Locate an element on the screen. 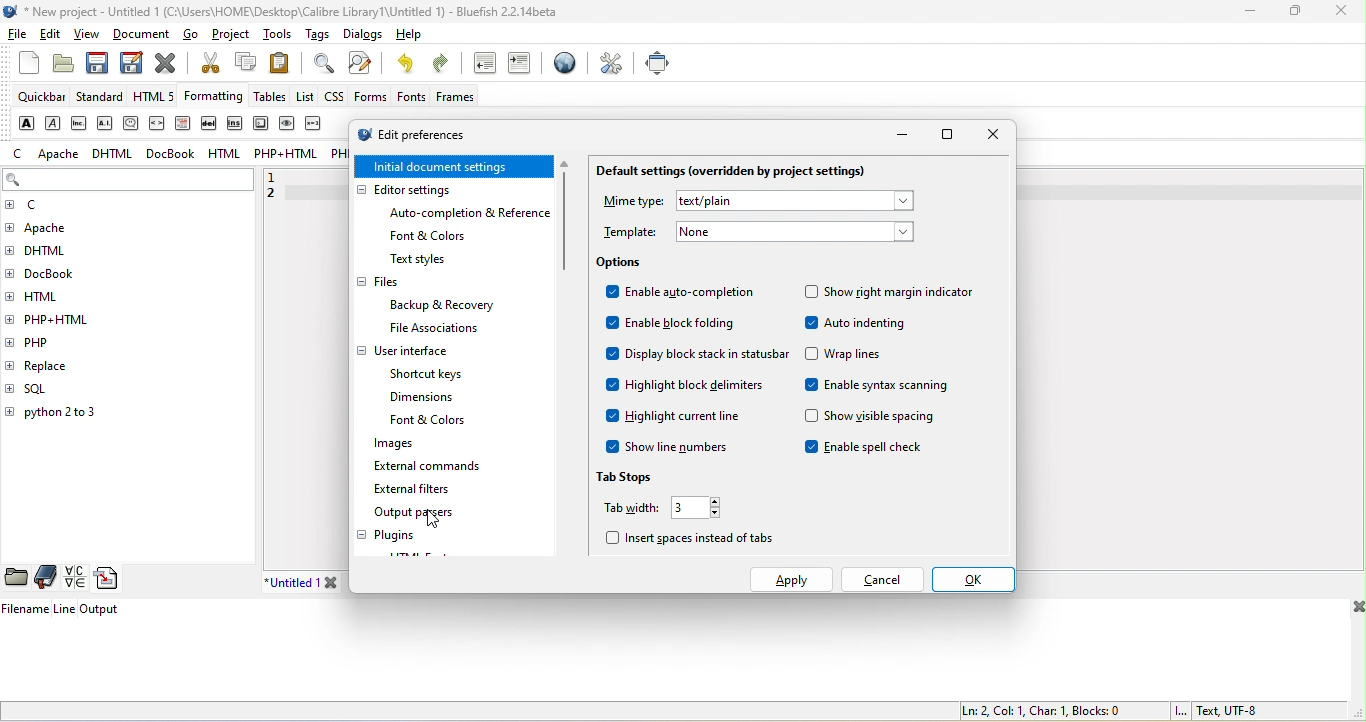  save is located at coordinates (97, 63).